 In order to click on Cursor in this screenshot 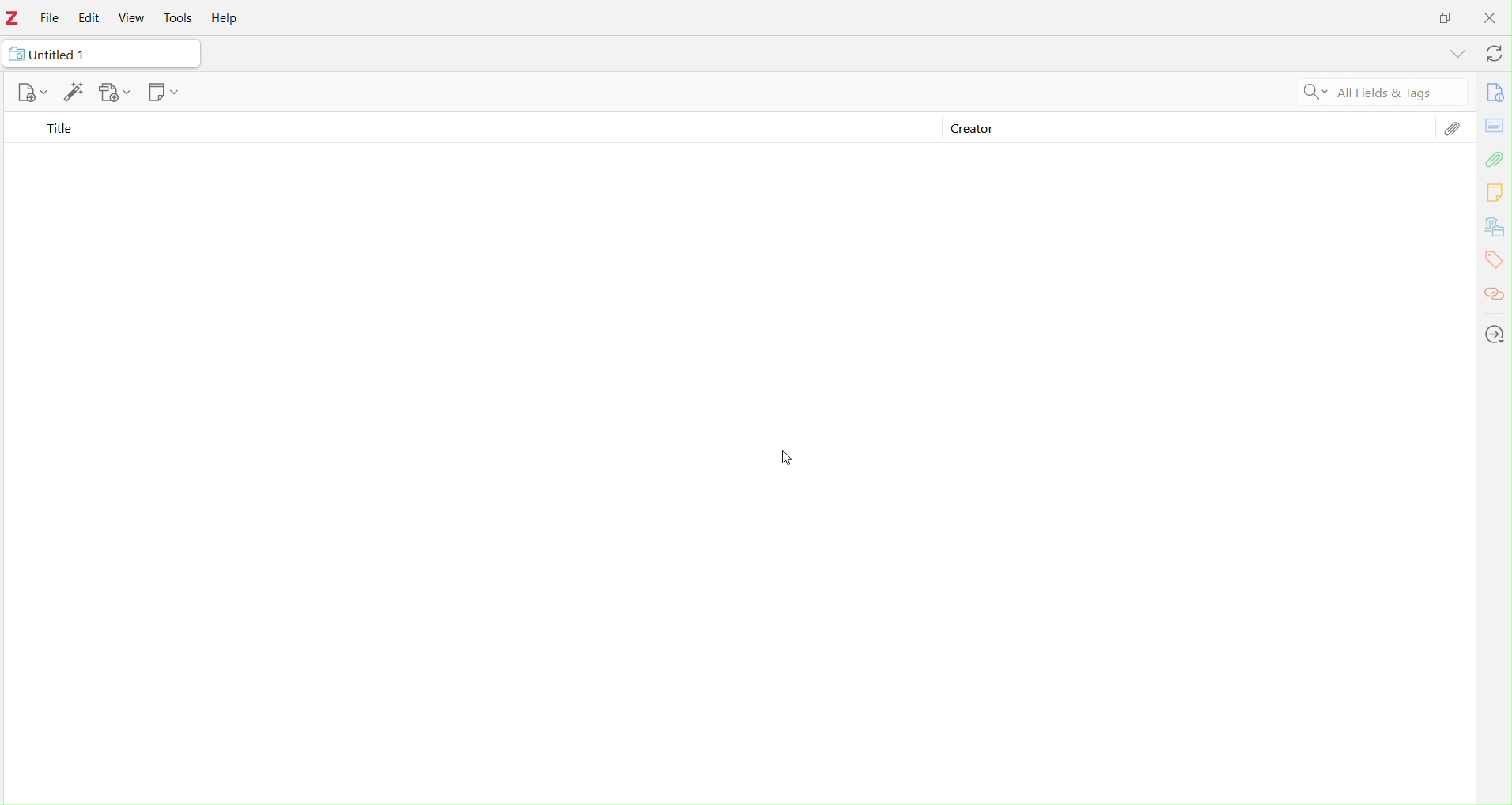, I will do `click(792, 458)`.